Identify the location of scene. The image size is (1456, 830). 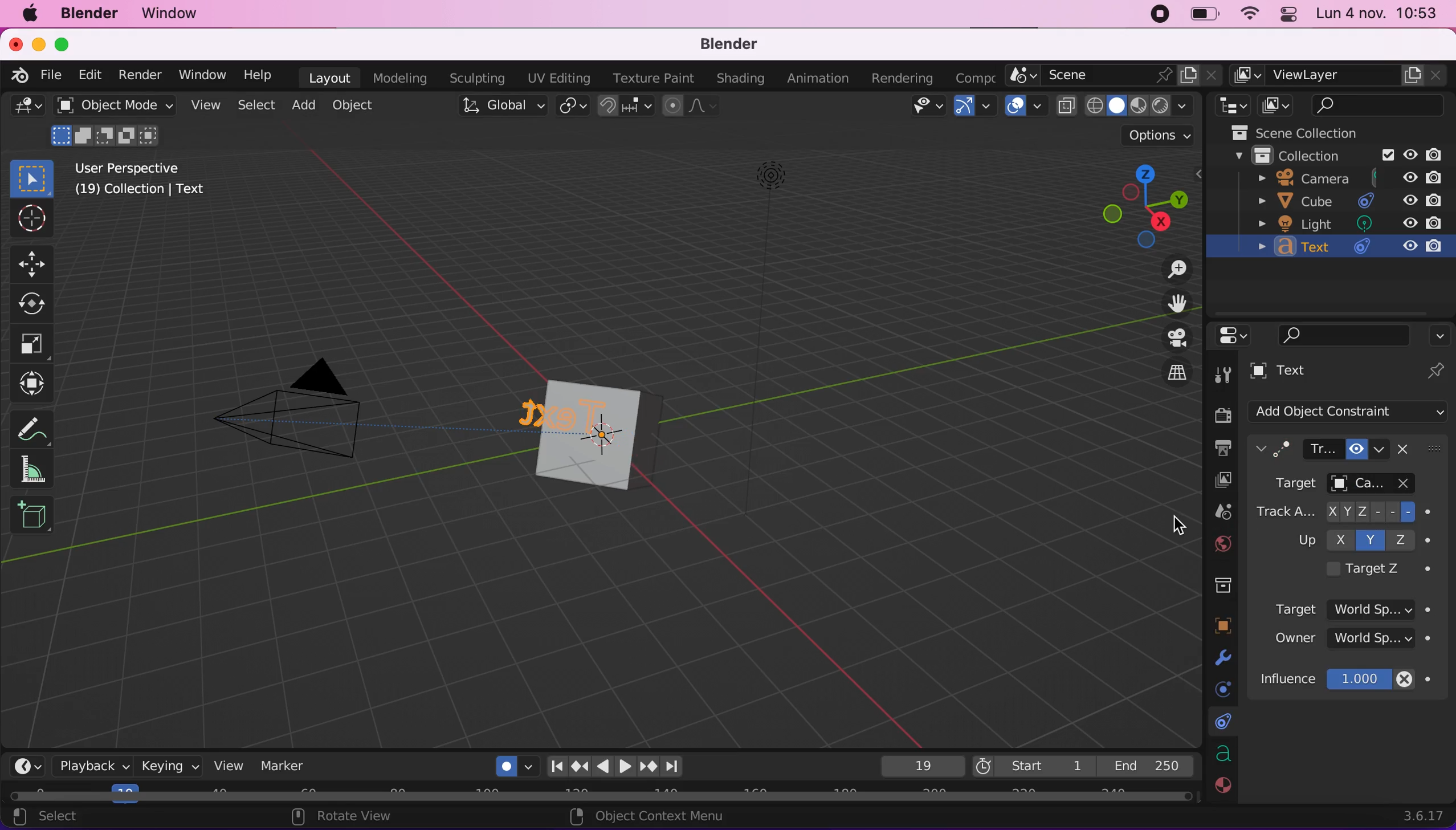
(1223, 511).